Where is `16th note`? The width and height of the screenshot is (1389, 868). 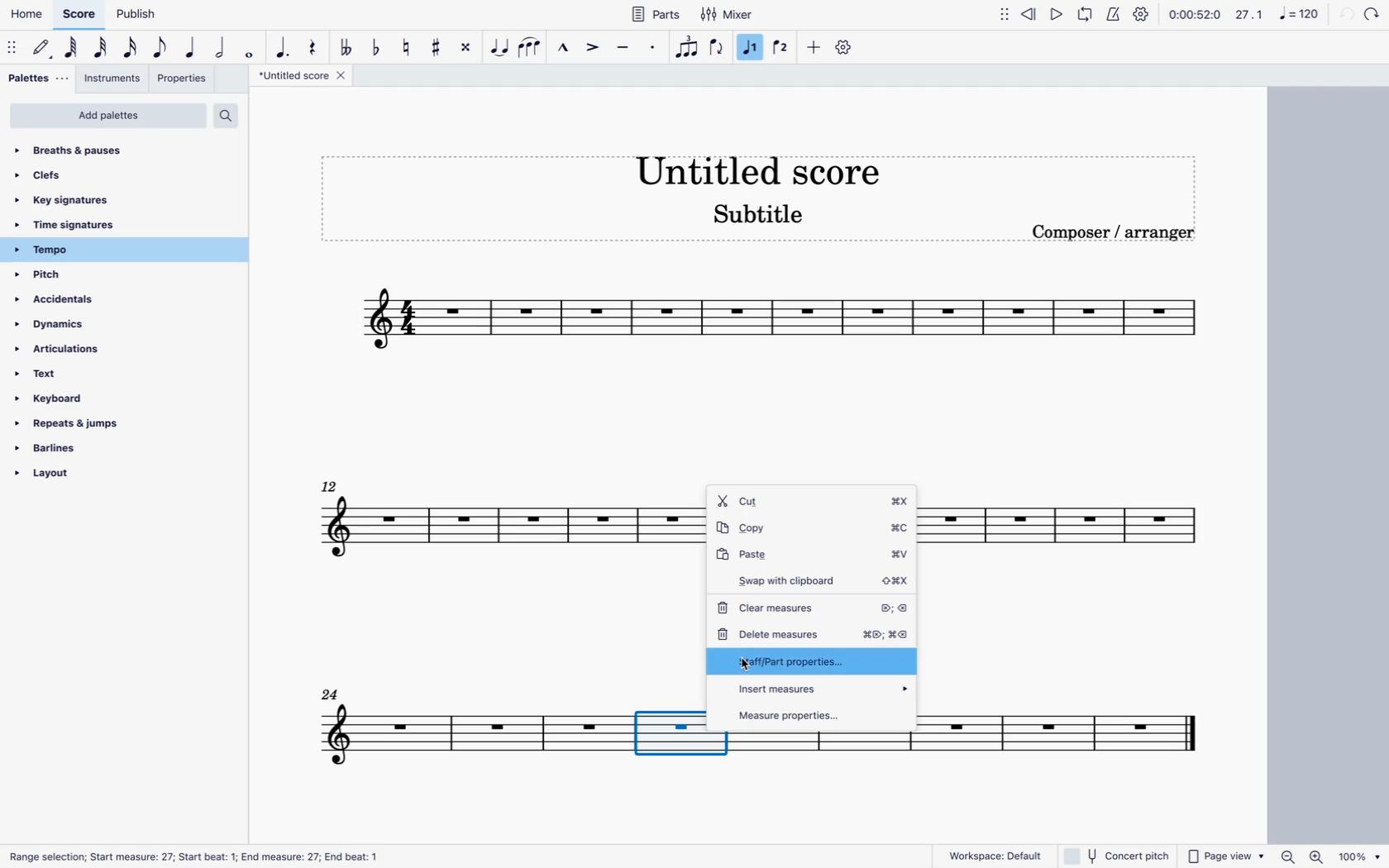
16th note is located at coordinates (131, 48).